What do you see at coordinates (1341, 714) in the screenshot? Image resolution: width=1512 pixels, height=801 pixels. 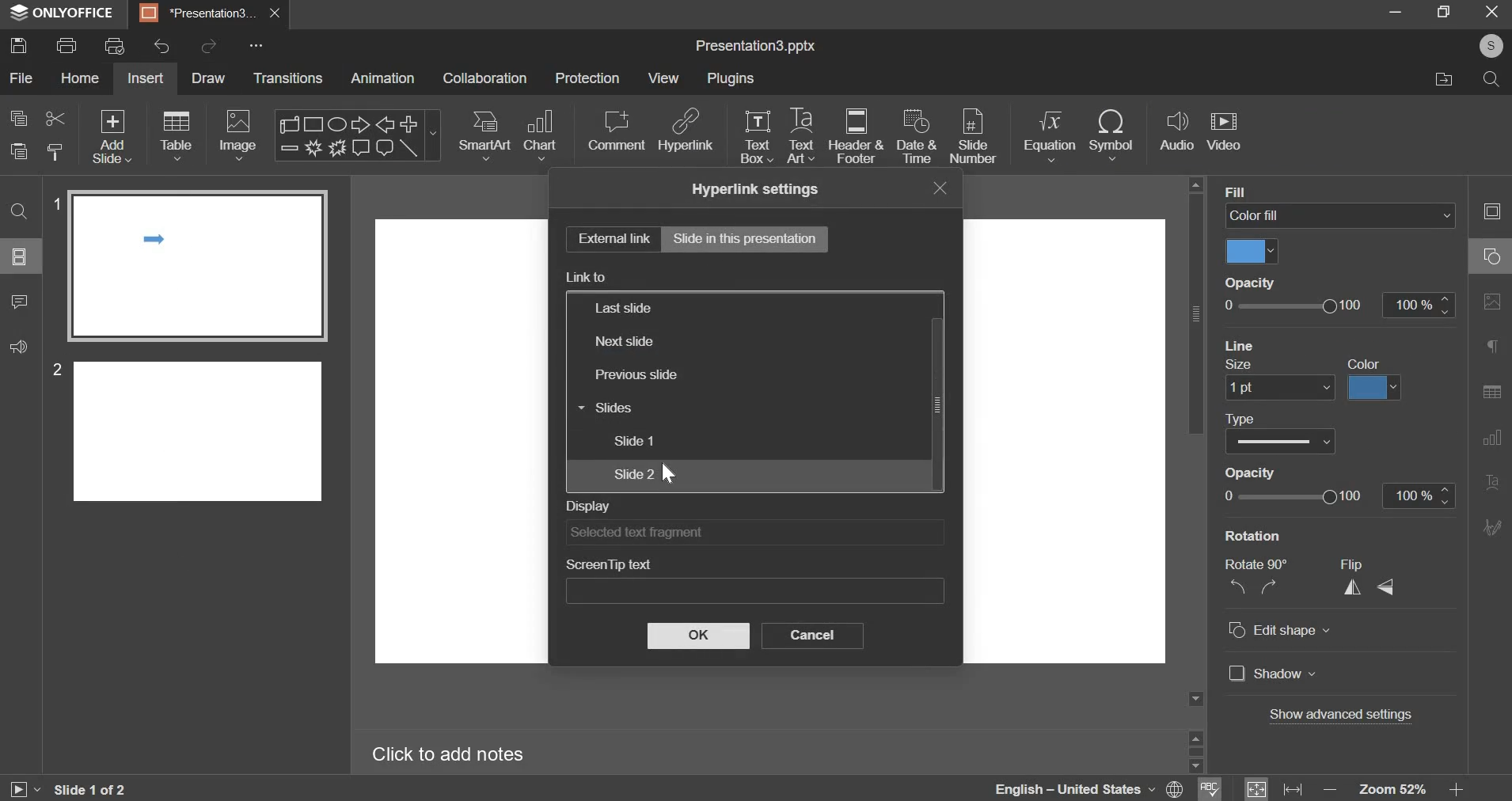 I see `show advanced settings` at bounding box center [1341, 714].